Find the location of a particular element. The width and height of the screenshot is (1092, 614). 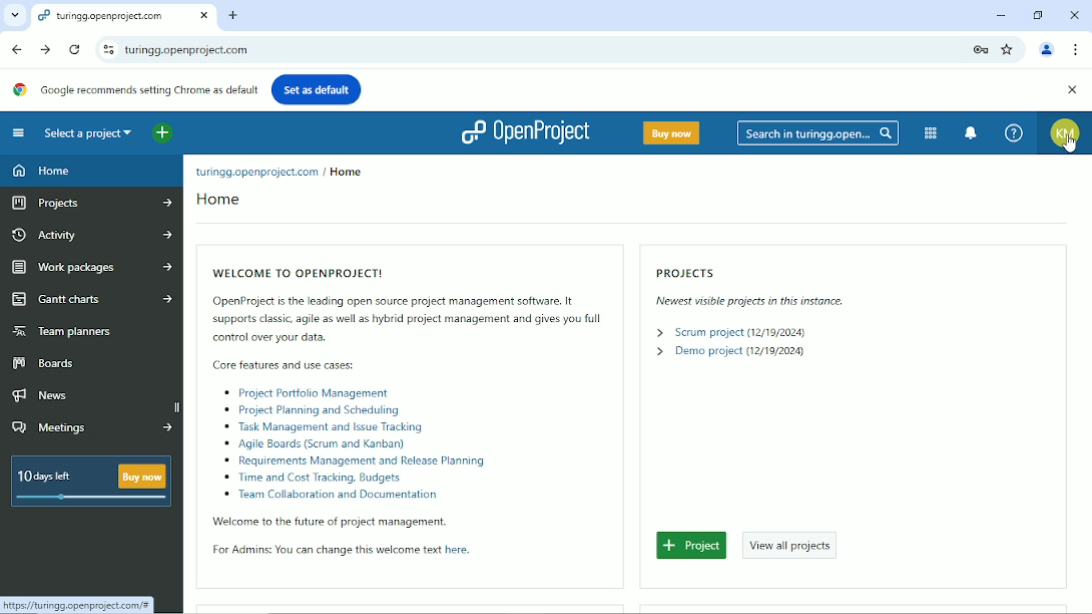

0 Jeam Collaboration and Documentation is located at coordinates (341, 494).